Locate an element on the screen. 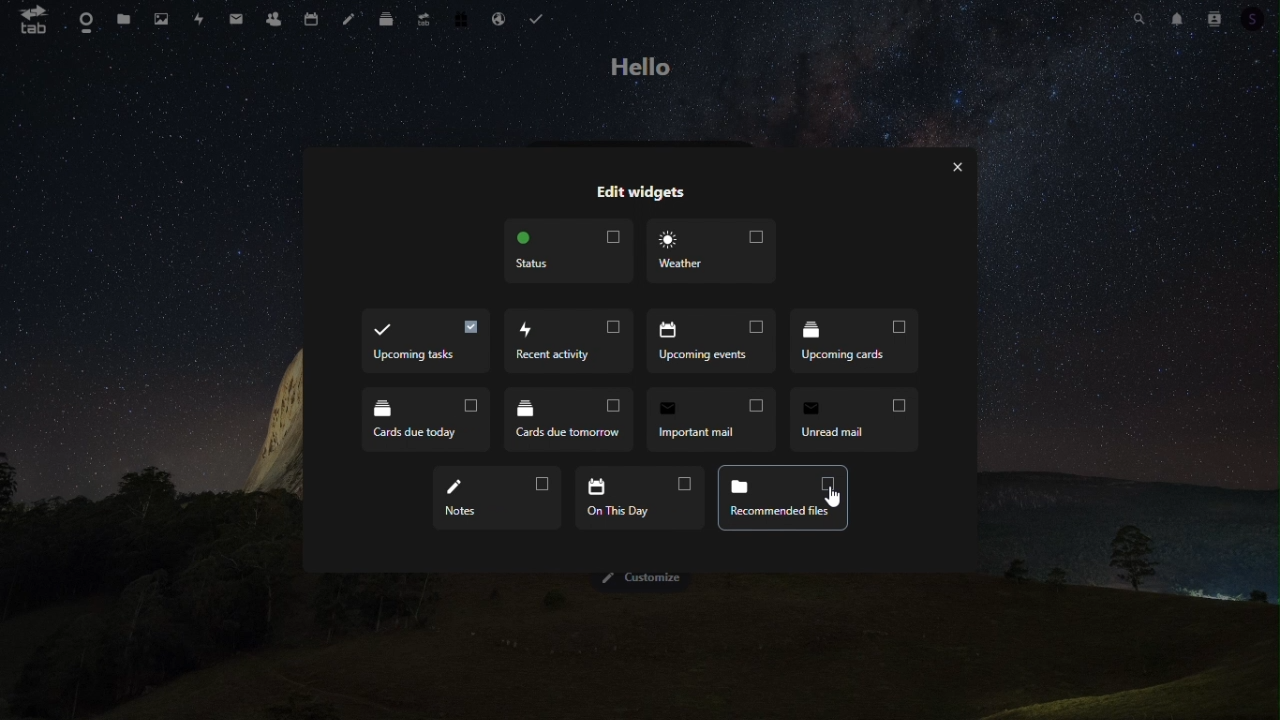  Recent activity is located at coordinates (424, 344).